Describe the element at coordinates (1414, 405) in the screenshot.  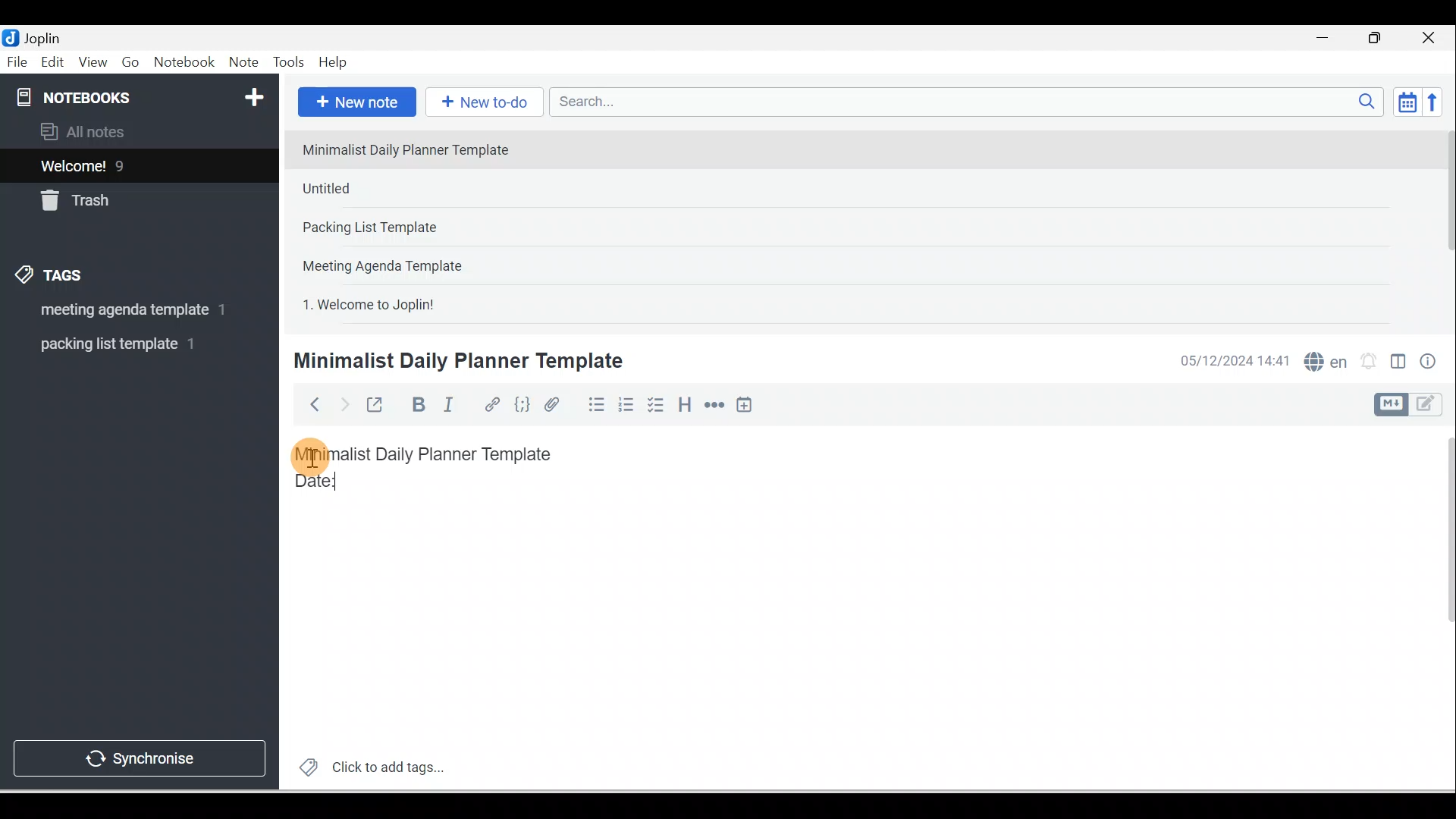
I see `Toggle editor layout` at that location.